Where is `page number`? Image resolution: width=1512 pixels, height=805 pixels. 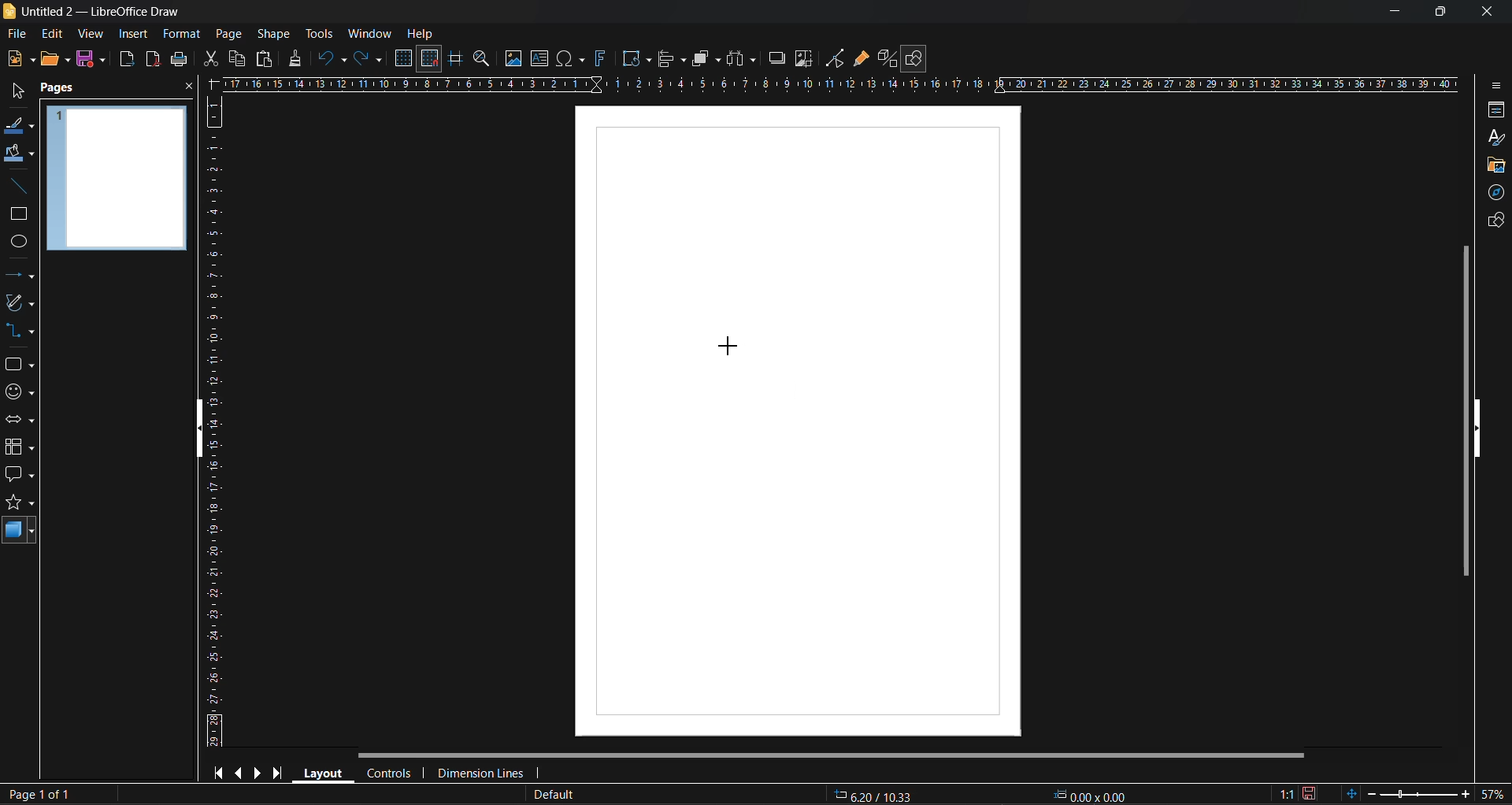
page number is located at coordinates (39, 796).